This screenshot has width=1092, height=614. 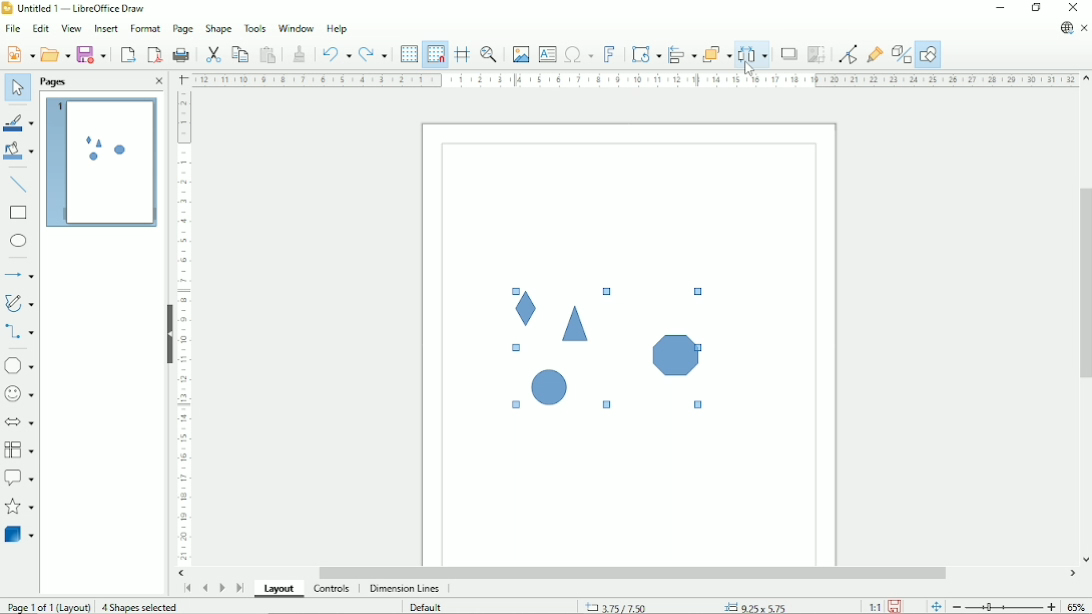 I want to click on Insert text box, so click(x=547, y=54).